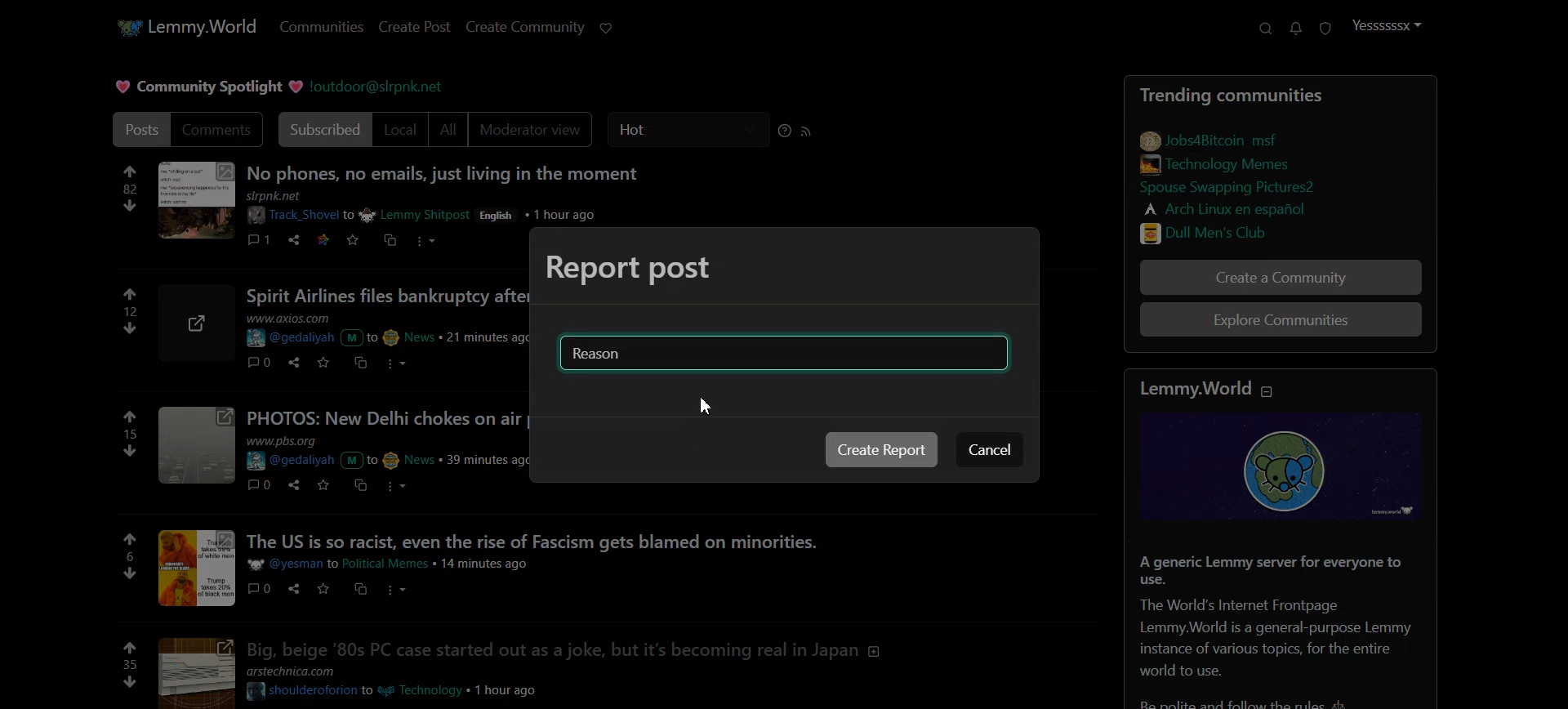 Image resolution: width=1568 pixels, height=709 pixels. What do you see at coordinates (1387, 26) in the screenshot?
I see `Profile` at bounding box center [1387, 26].